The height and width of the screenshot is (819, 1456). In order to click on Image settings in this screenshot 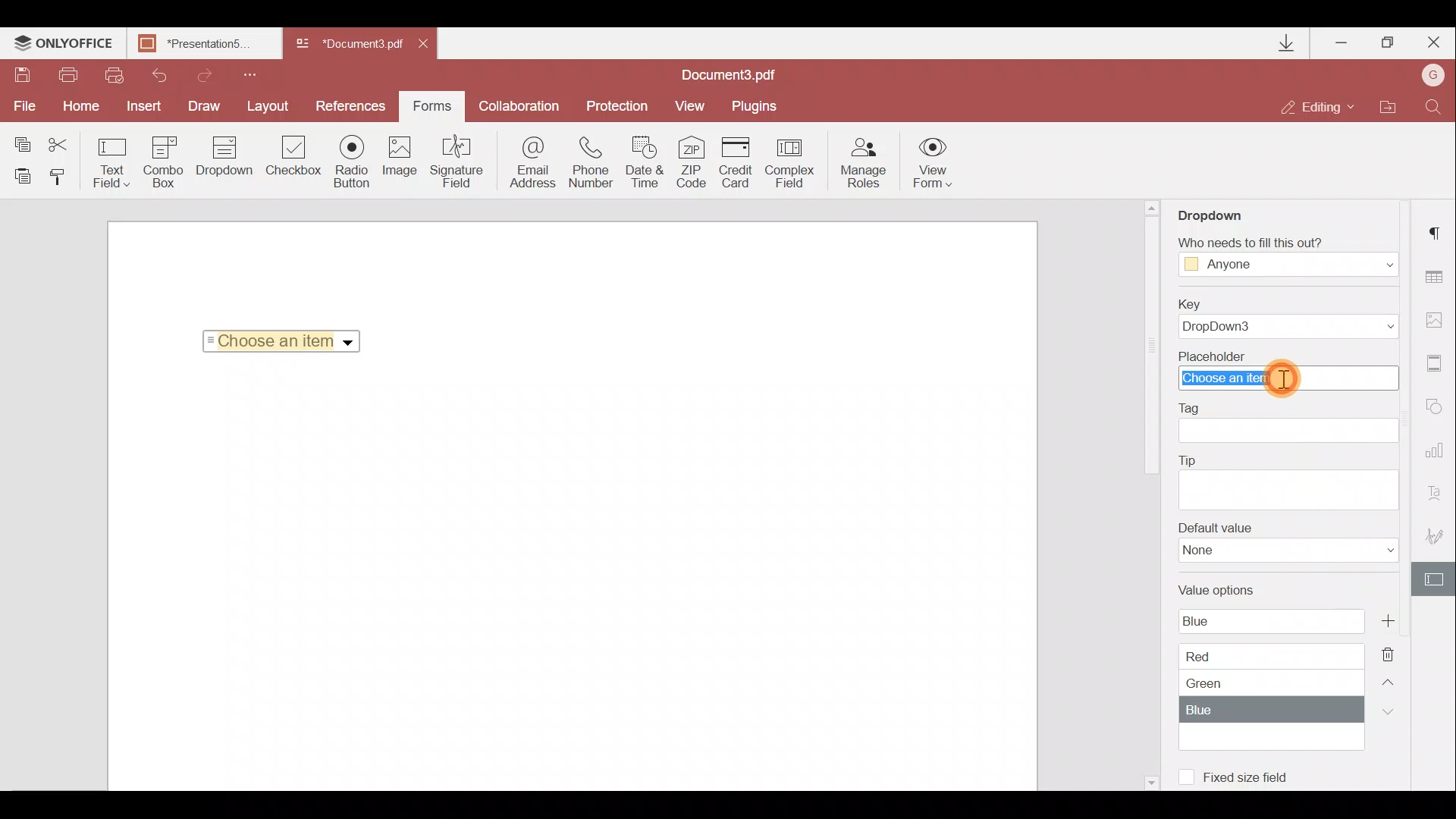, I will do `click(1439, 319)`.